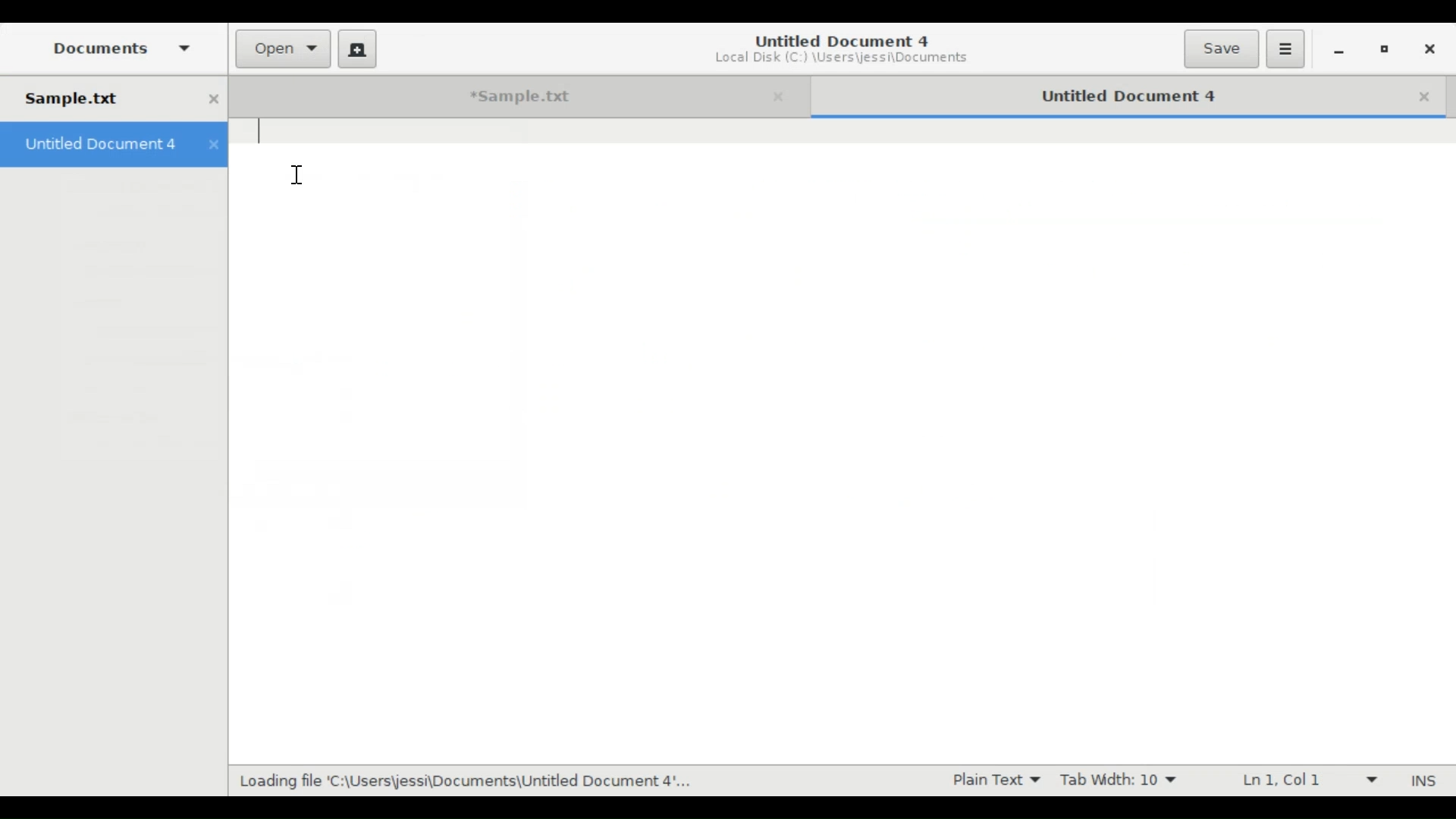  I want to click on Close, so click(780, 96).